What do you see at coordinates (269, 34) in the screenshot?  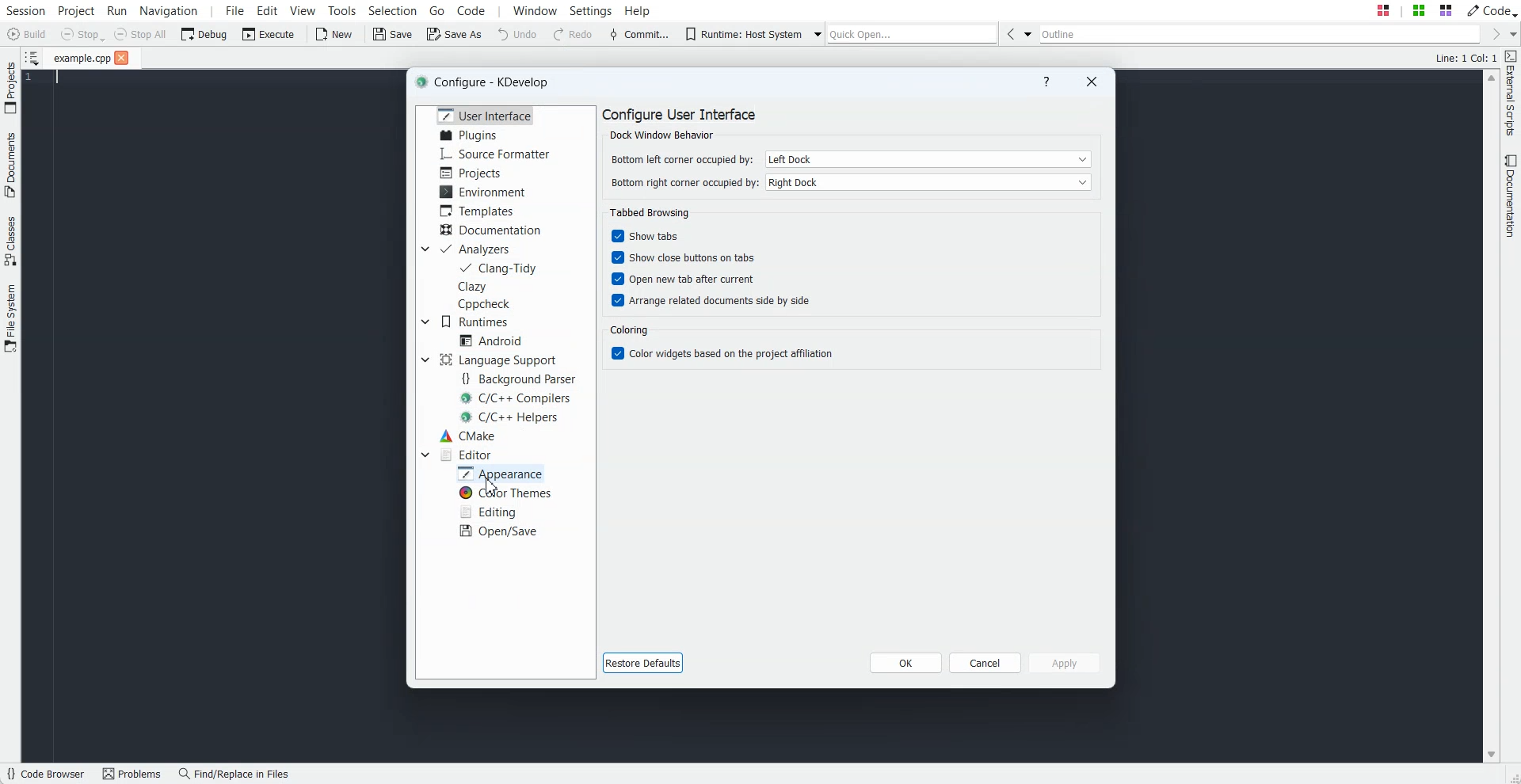 I see `Execute` at bounding box center [269, 34].